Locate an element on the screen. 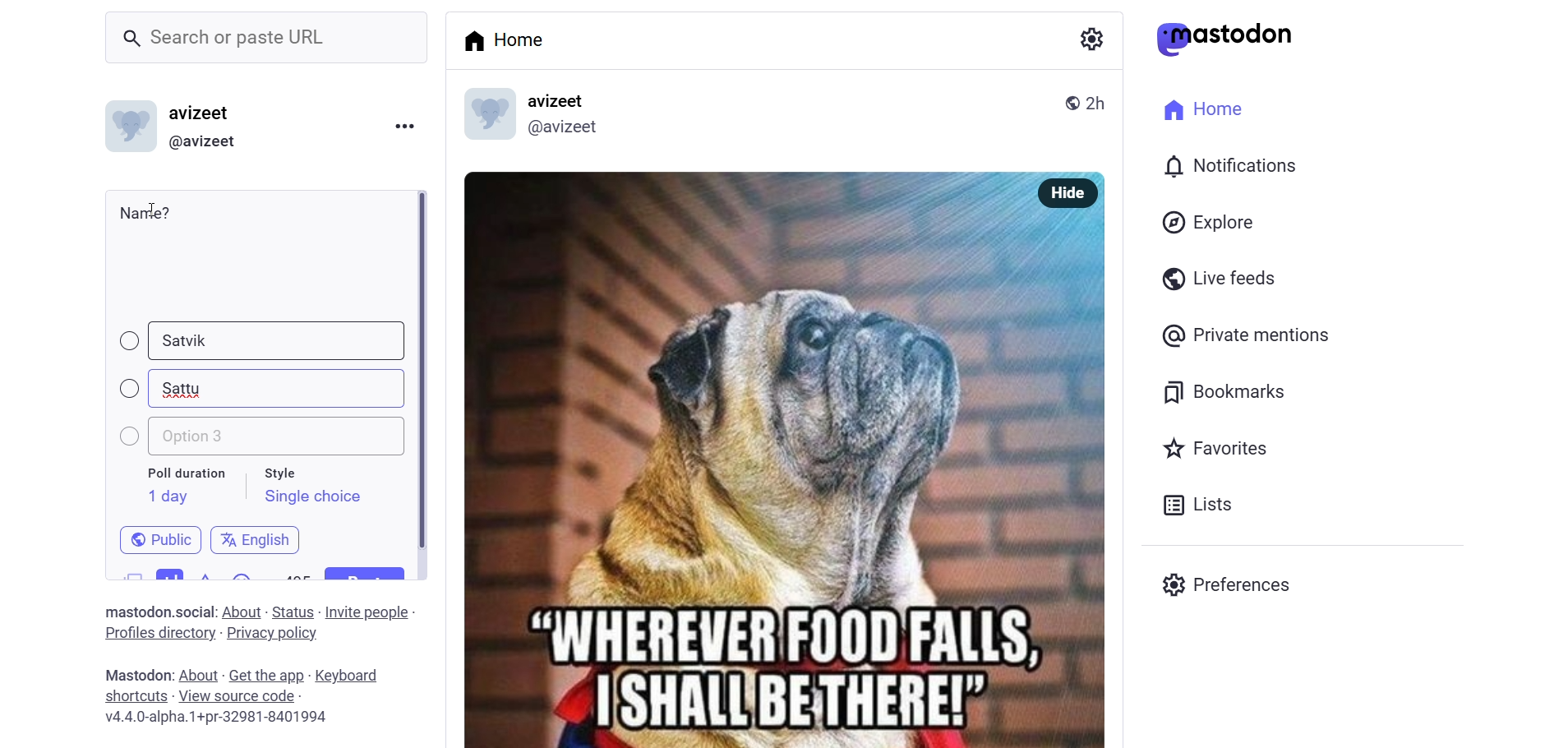 This screenshot has width=1568, height=748. avizeet is located at coordinates (560, 102).